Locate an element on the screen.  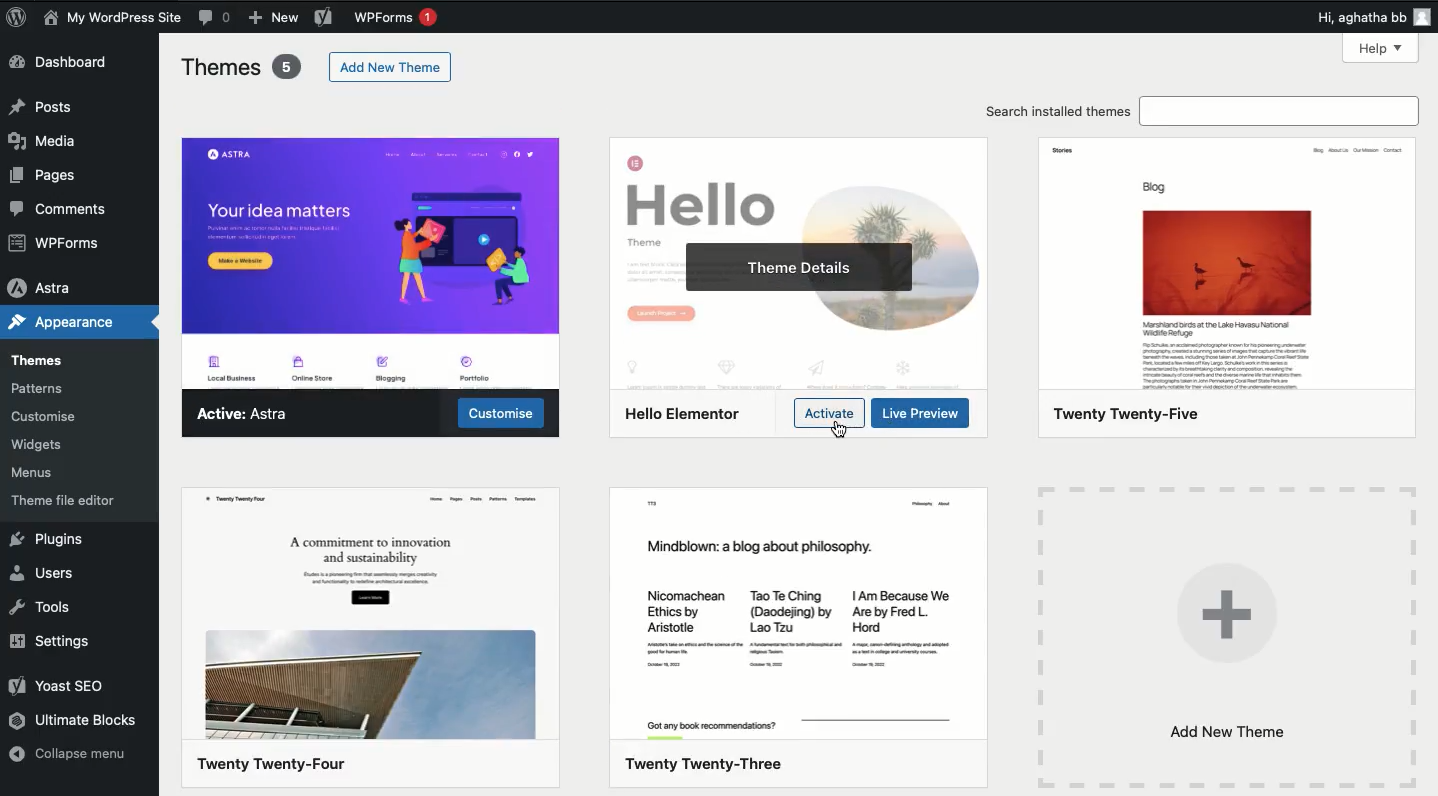
Dashboard is located at coordinates (63, 62).